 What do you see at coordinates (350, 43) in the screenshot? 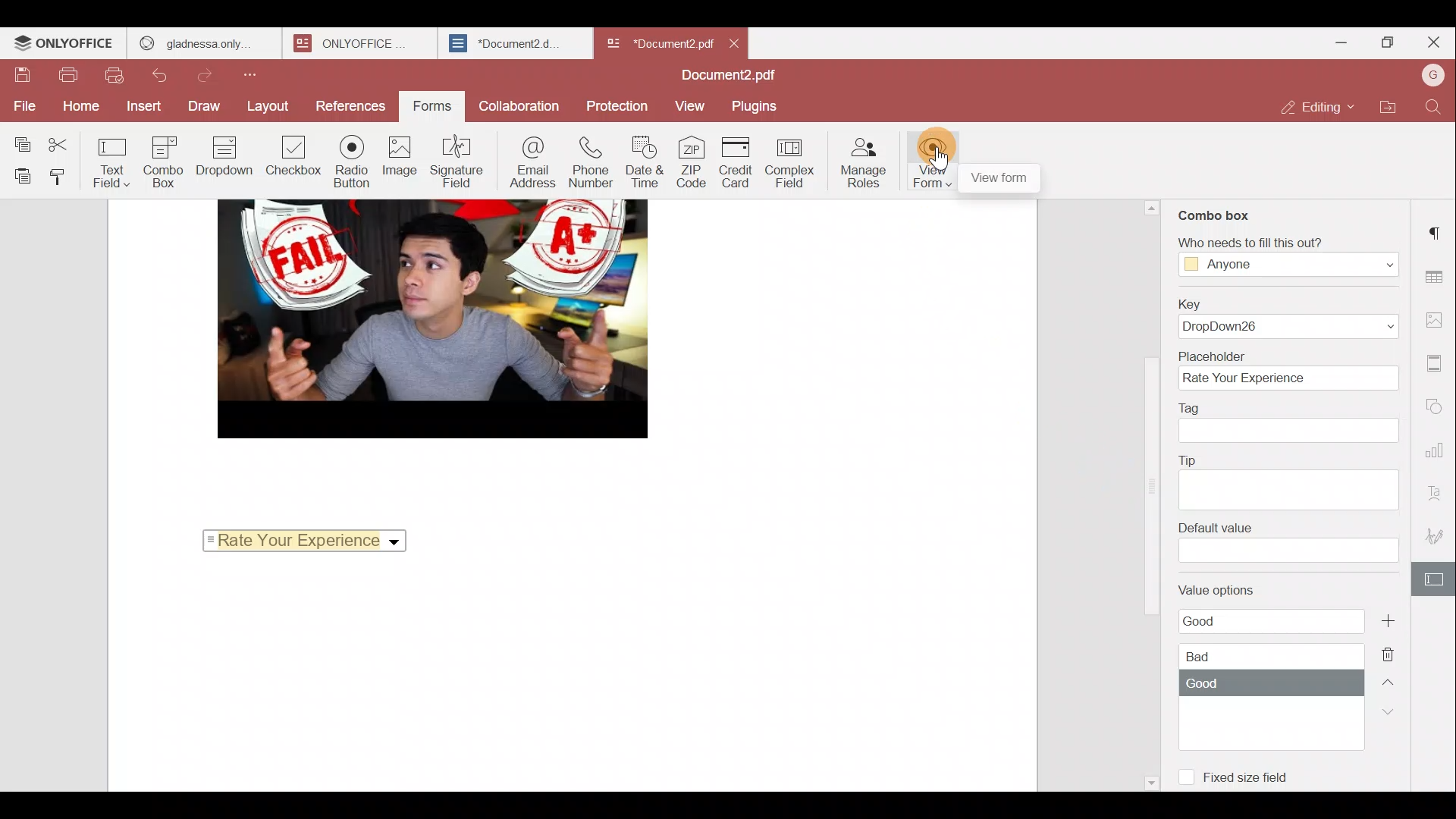
I see `ONLYOFFICE` at bounding box center [350, 43].